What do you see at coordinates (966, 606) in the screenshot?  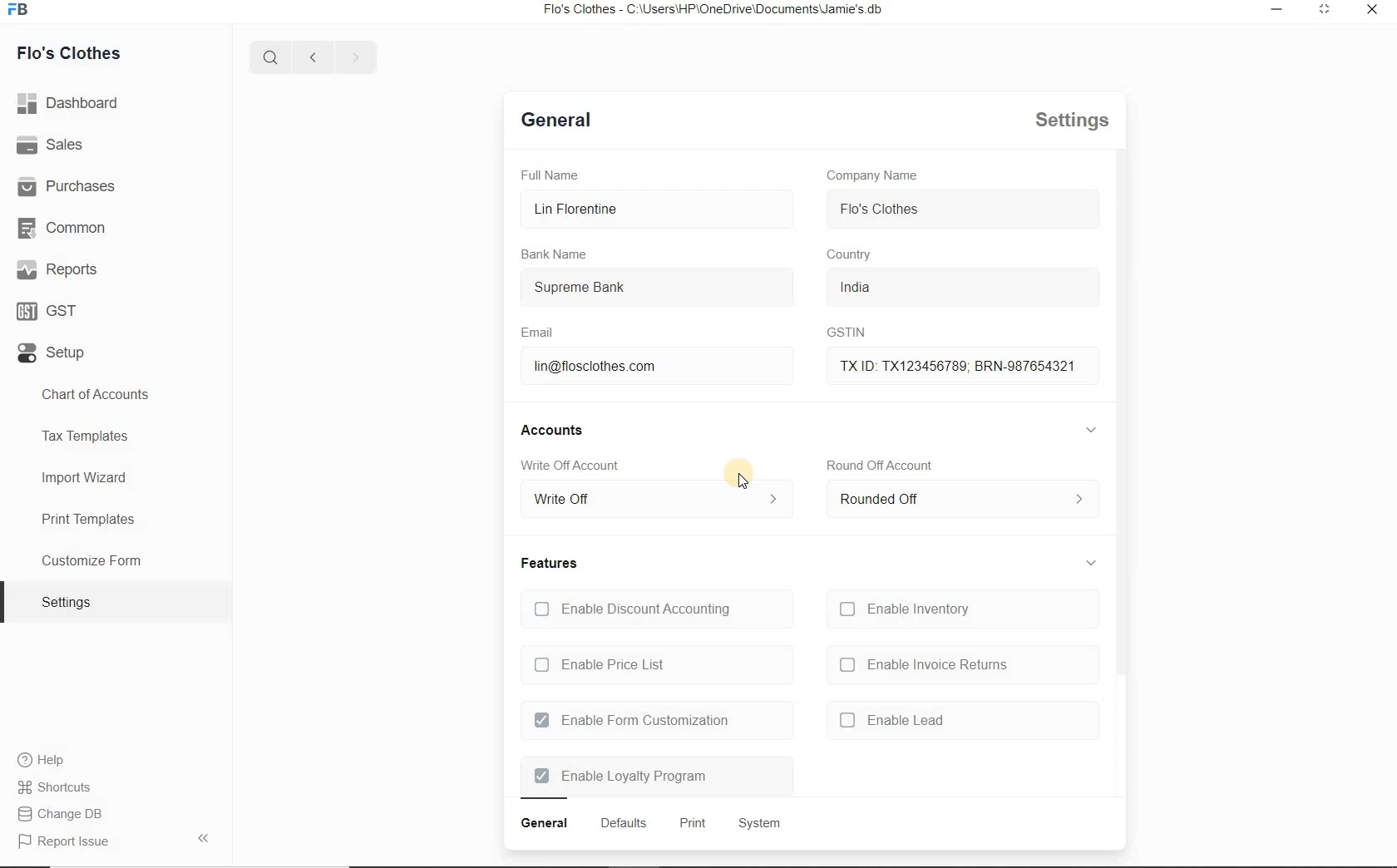 I see `Enable Inventory` at bounding box center [966, 606].